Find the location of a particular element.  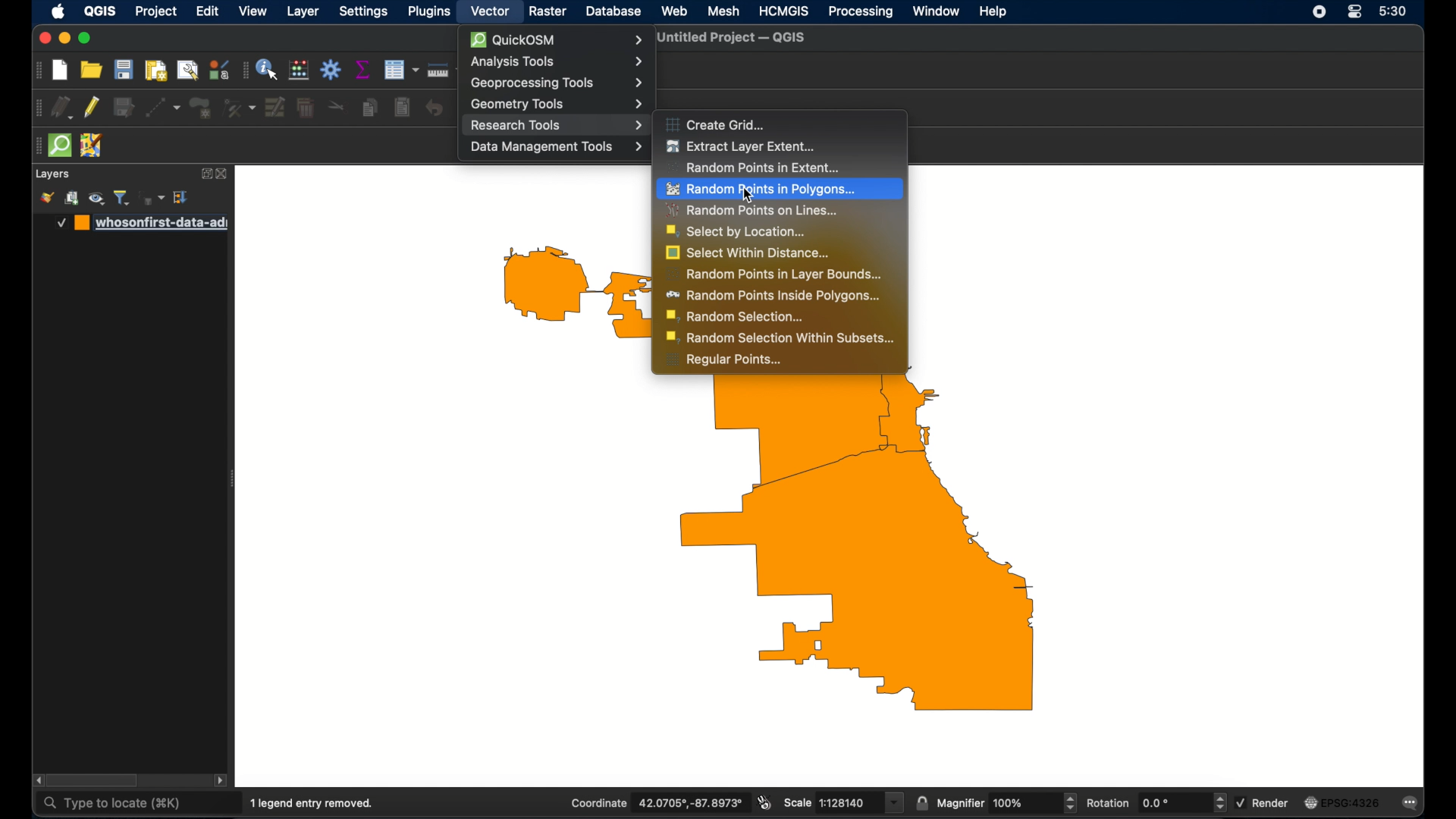

random points inside polygons is located at coordinates (773, 296).